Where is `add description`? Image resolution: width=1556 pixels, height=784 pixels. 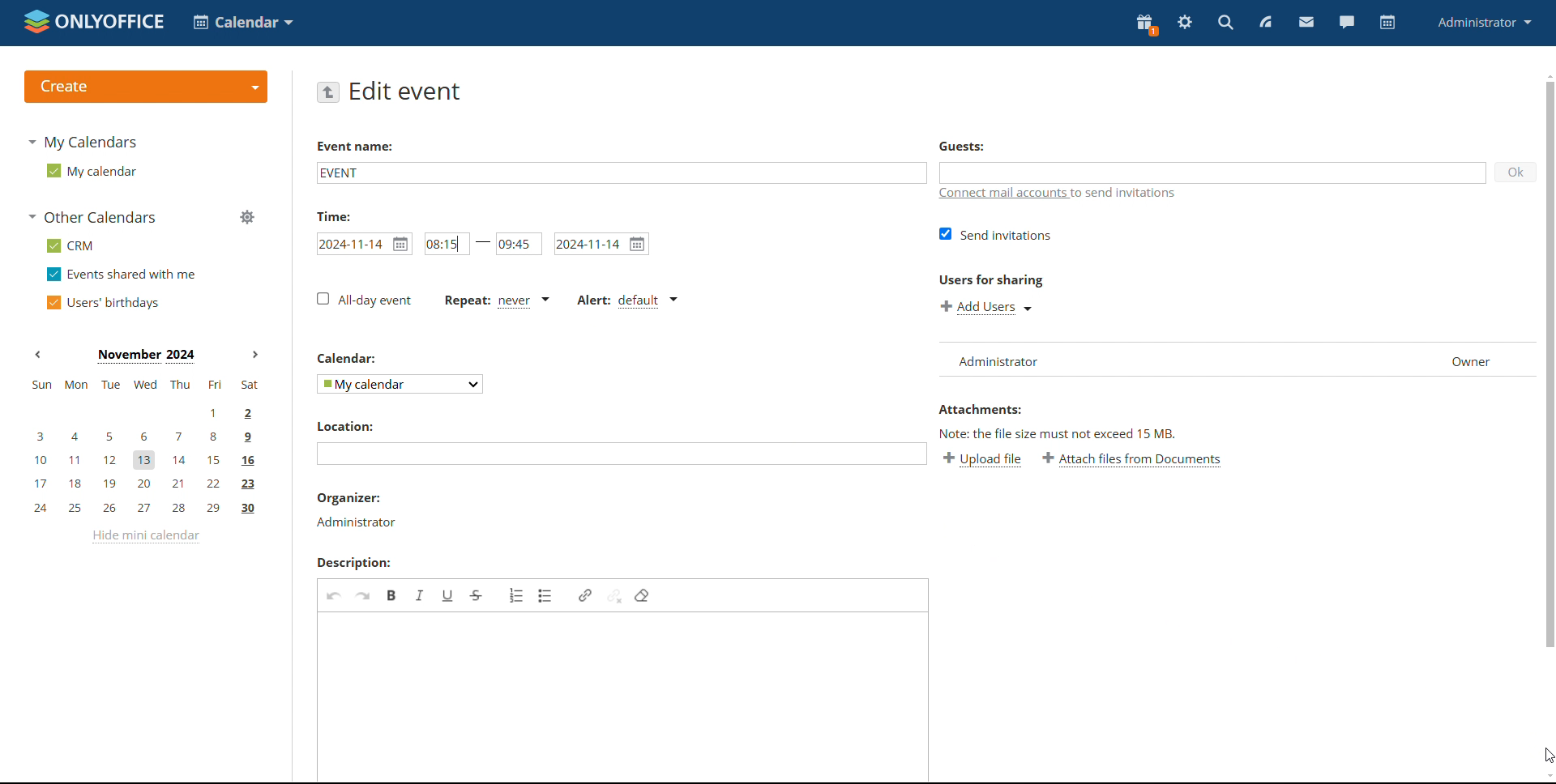 add description is located at coordinates (622, 696).